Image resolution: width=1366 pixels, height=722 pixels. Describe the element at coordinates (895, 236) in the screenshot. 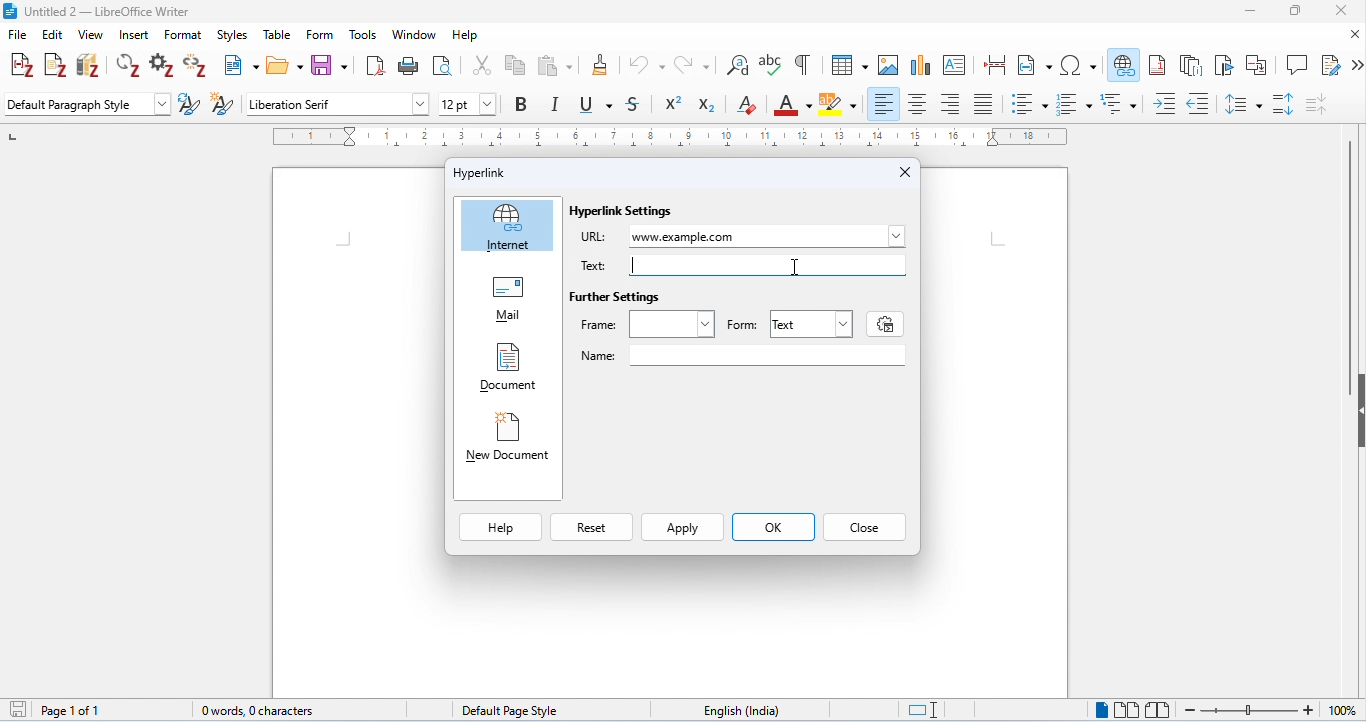

I see `` at that location.